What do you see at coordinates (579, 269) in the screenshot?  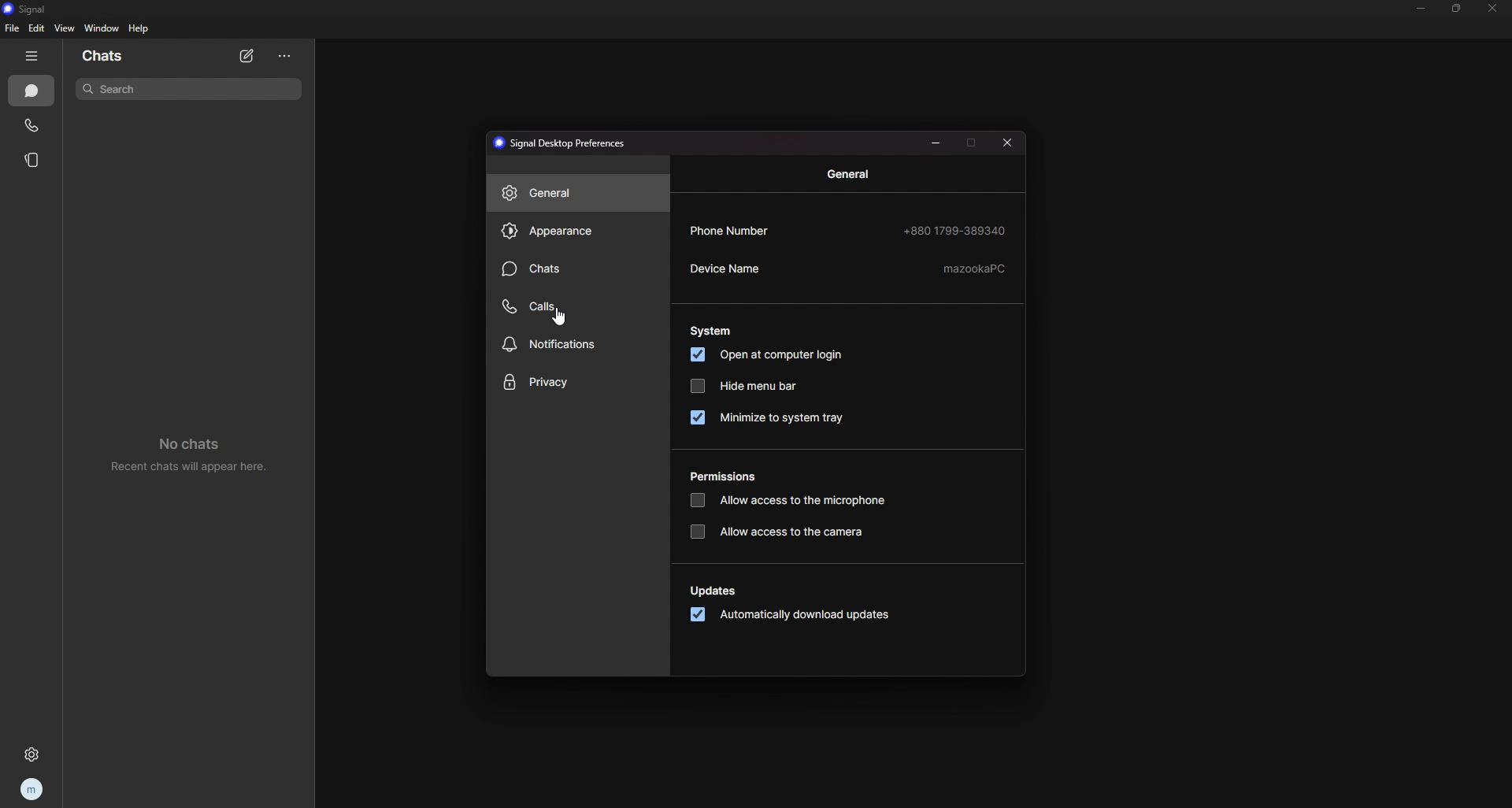 I see `chats` at bounding box center [579, 269].